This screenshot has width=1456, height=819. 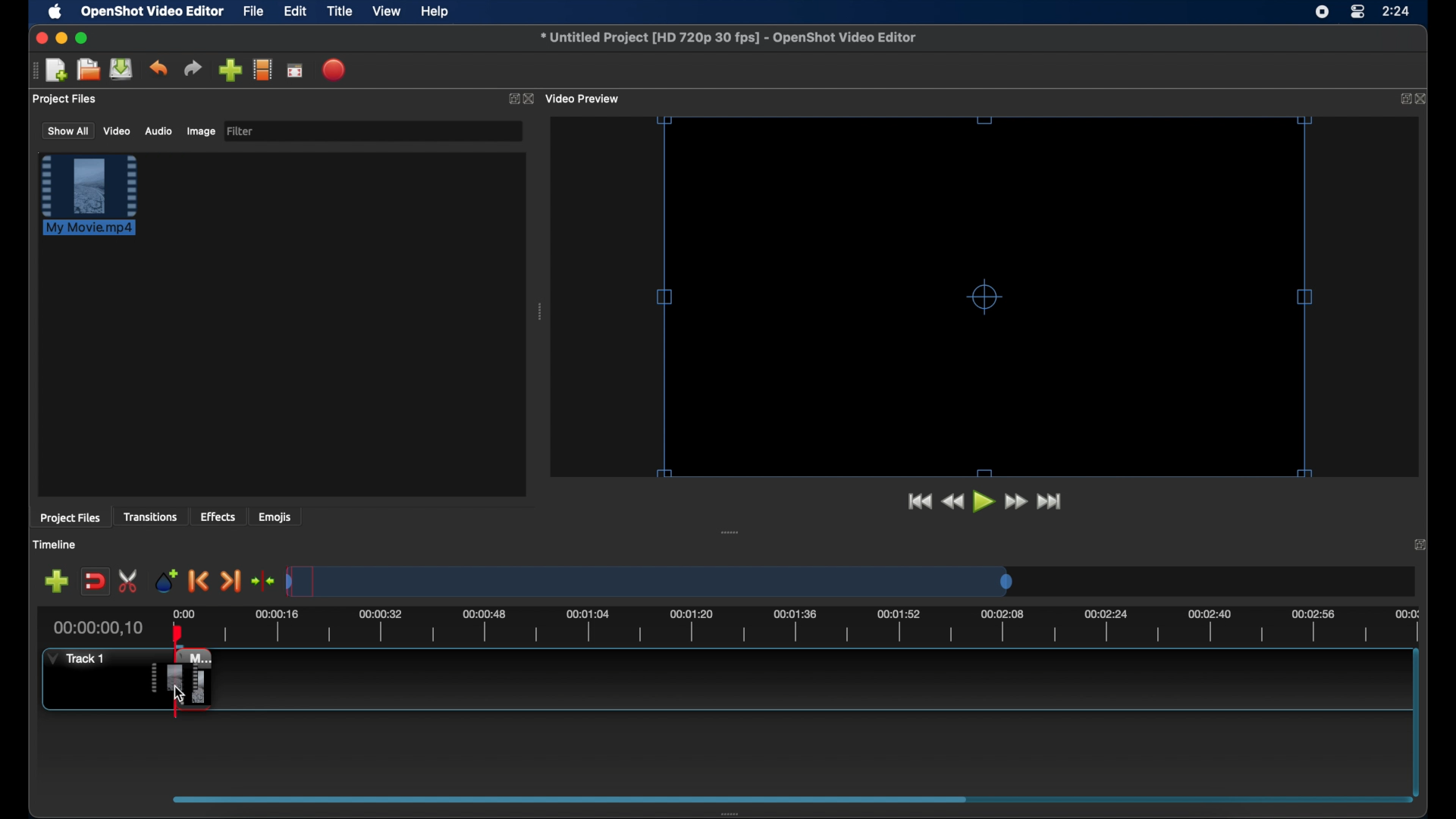 What do you see at coordinates (1420, 543) in the screenshot?
I see `close` at bounding box center [1420, 543].